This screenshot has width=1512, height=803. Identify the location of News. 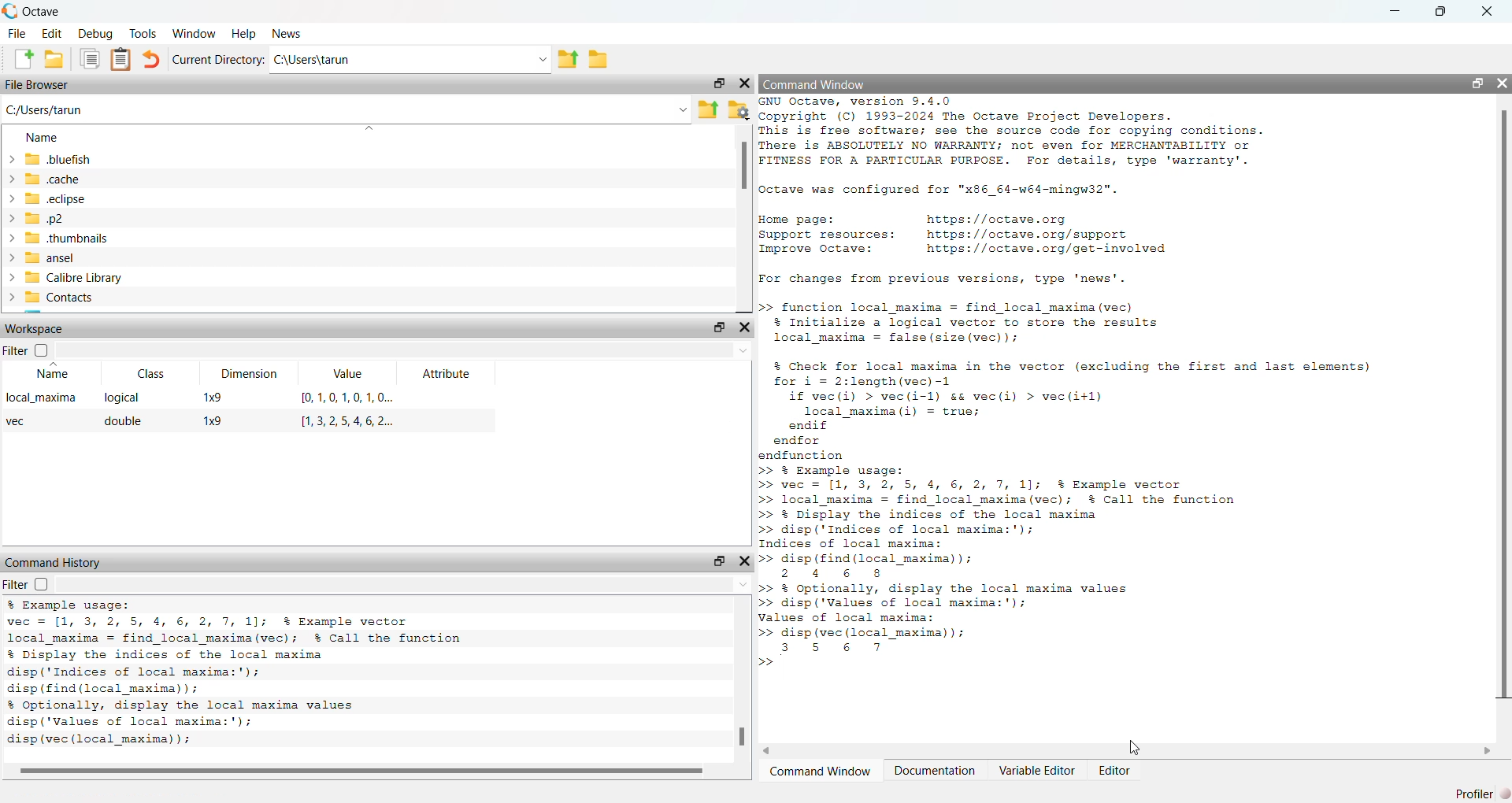
(284, 32).